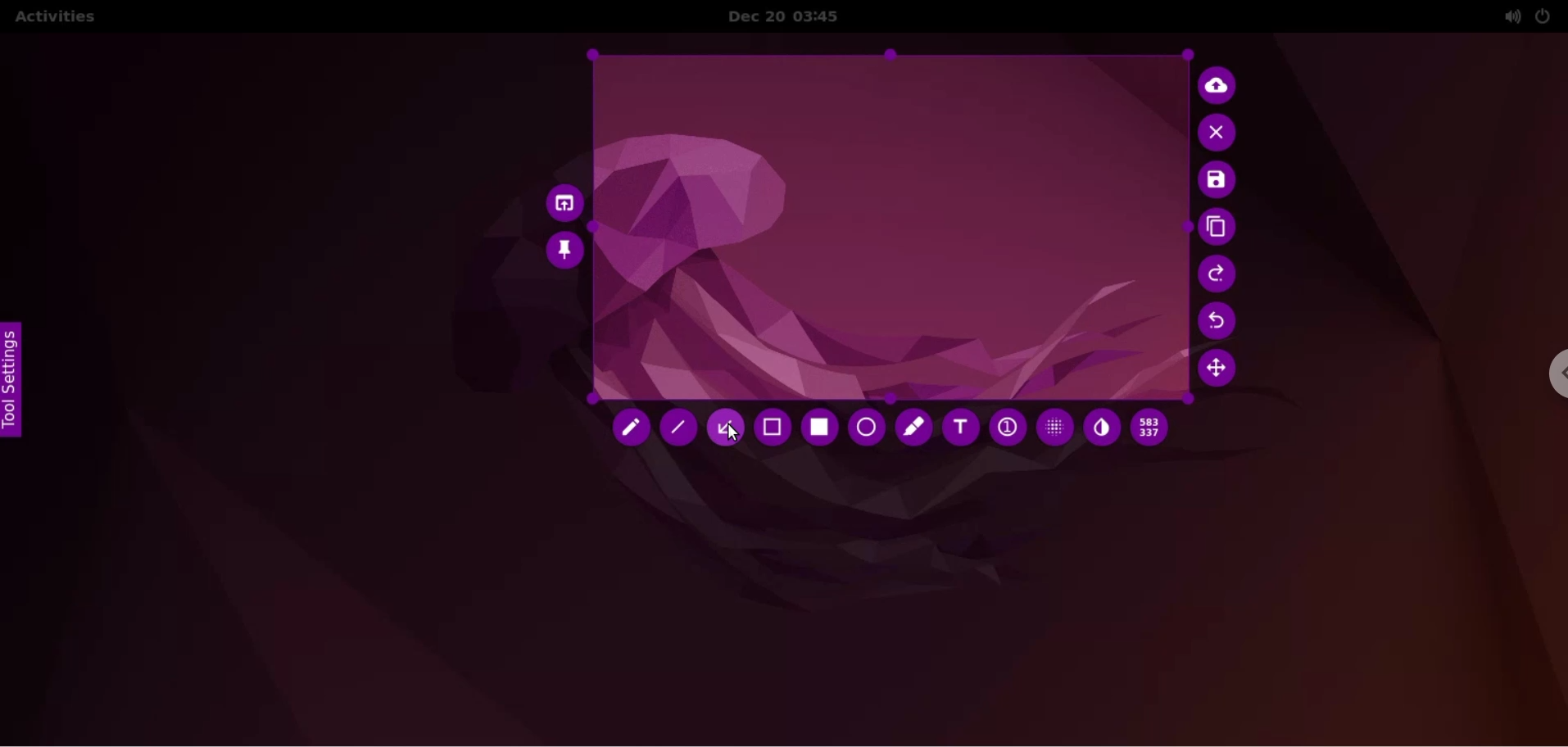  I want to click on text, so click(961, 431).